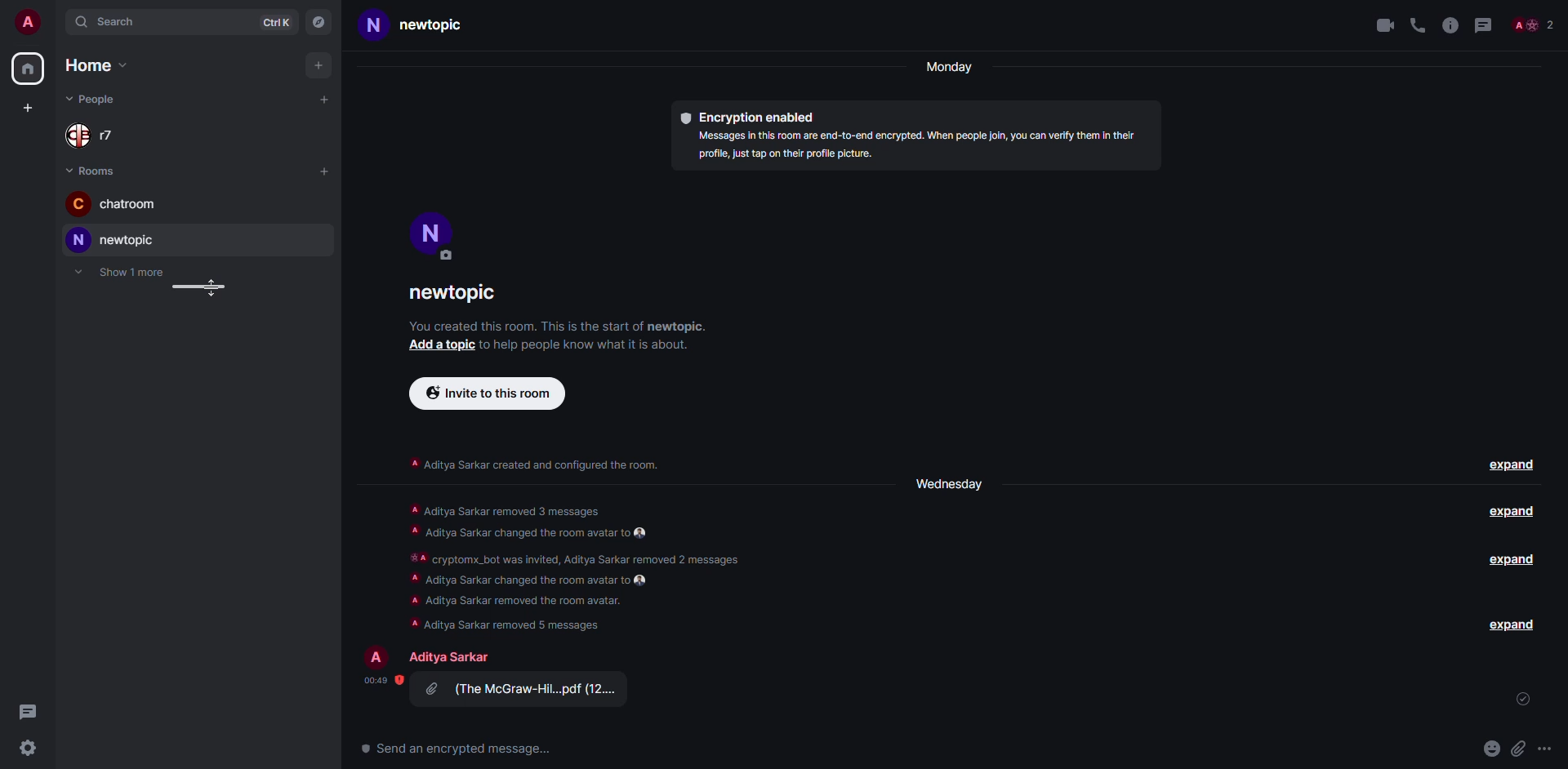 The image size is (1568, 769). What do you see at coordinates (946, 69) in the screenshot?
I see `Monday` at bounding box center [946, 69].